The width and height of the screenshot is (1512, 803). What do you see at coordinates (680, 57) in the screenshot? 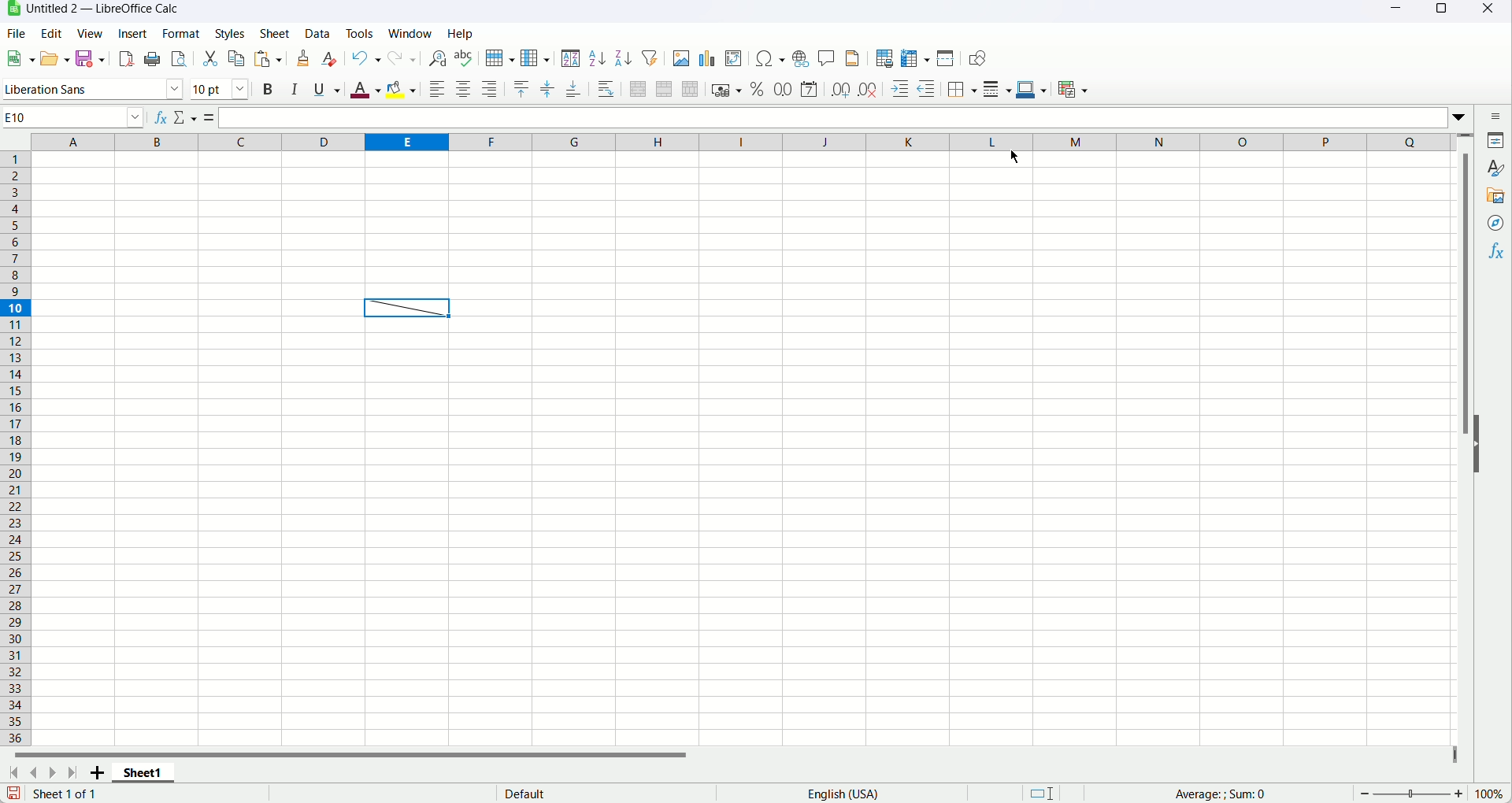
I see `Insert image` at bounding box center [680, 57].